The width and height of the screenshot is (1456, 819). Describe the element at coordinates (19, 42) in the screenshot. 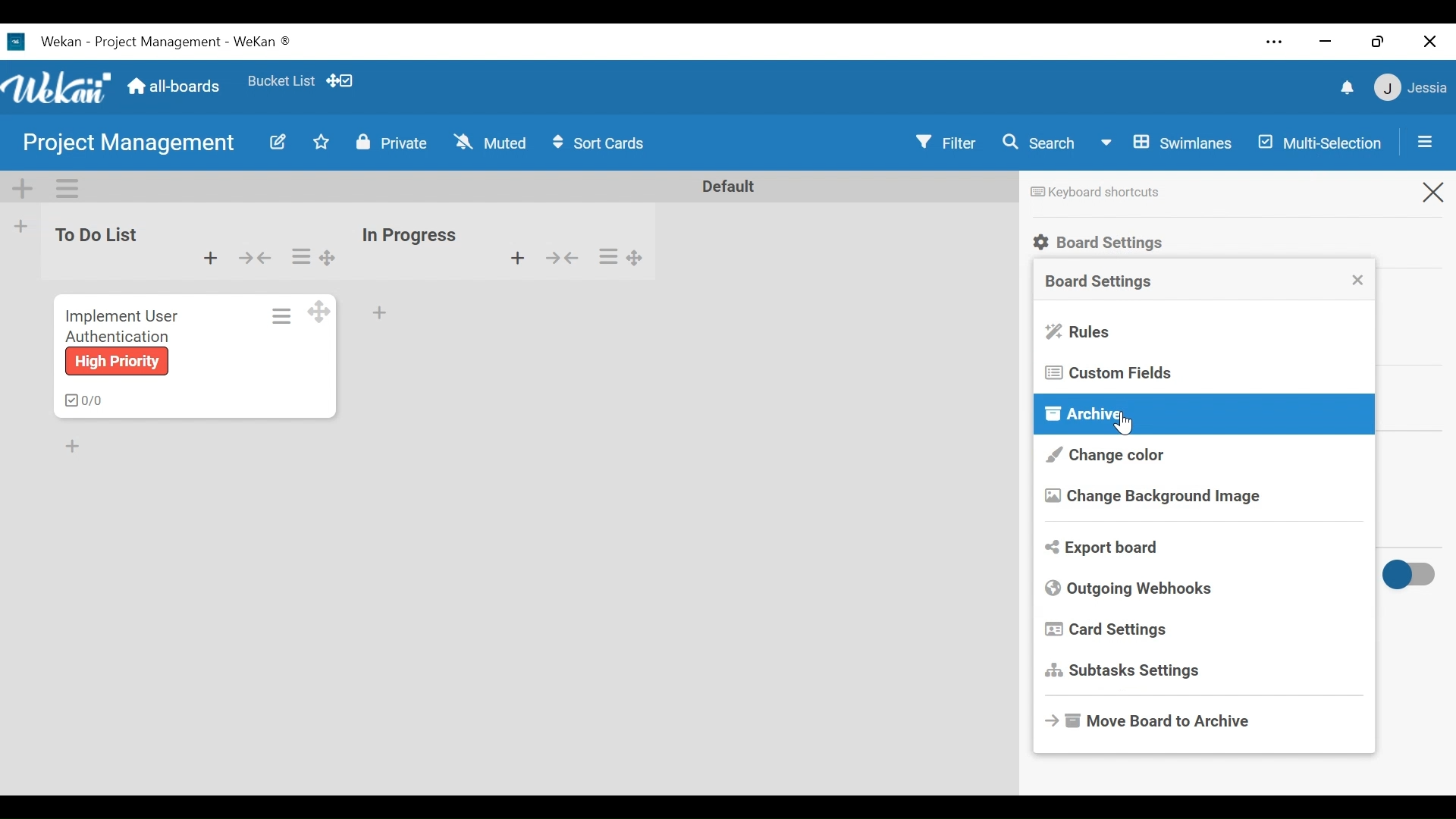

I see `Wekan icon` at that location.